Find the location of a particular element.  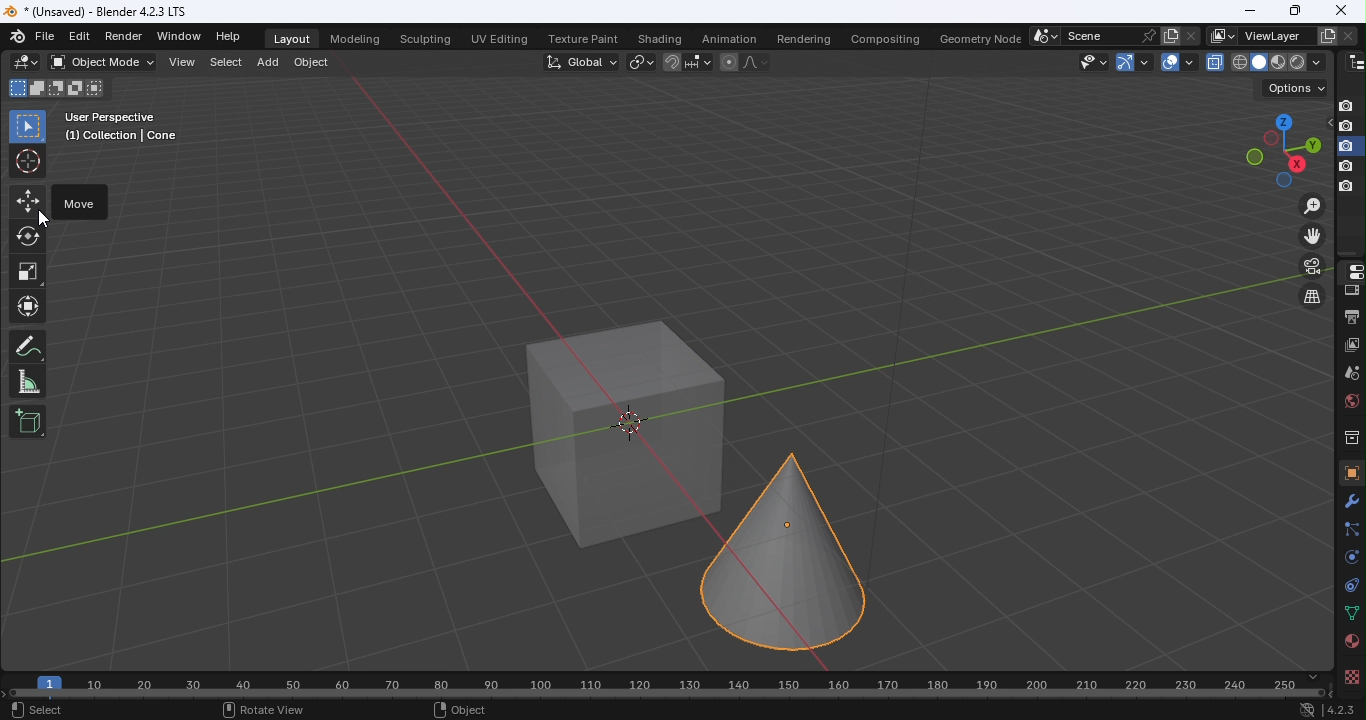

Version is located at coordinates (1342, 711).